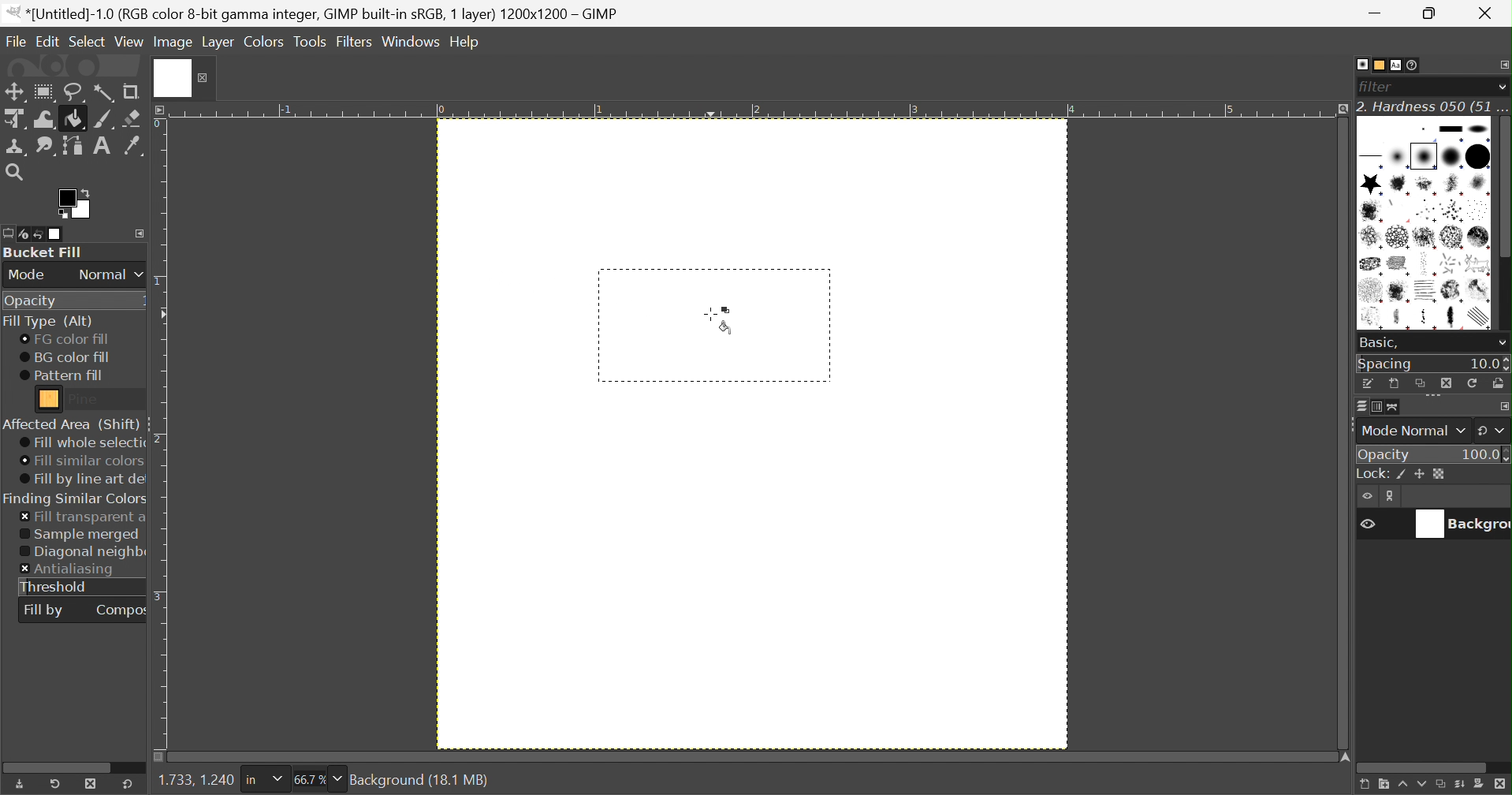 This screenshot has height=795, width=1512. What do you see at coordinates (1402, 786) in the screenshot?
I see `Raise this layer one step in the layer stack` at bounding box center [1402, 786].